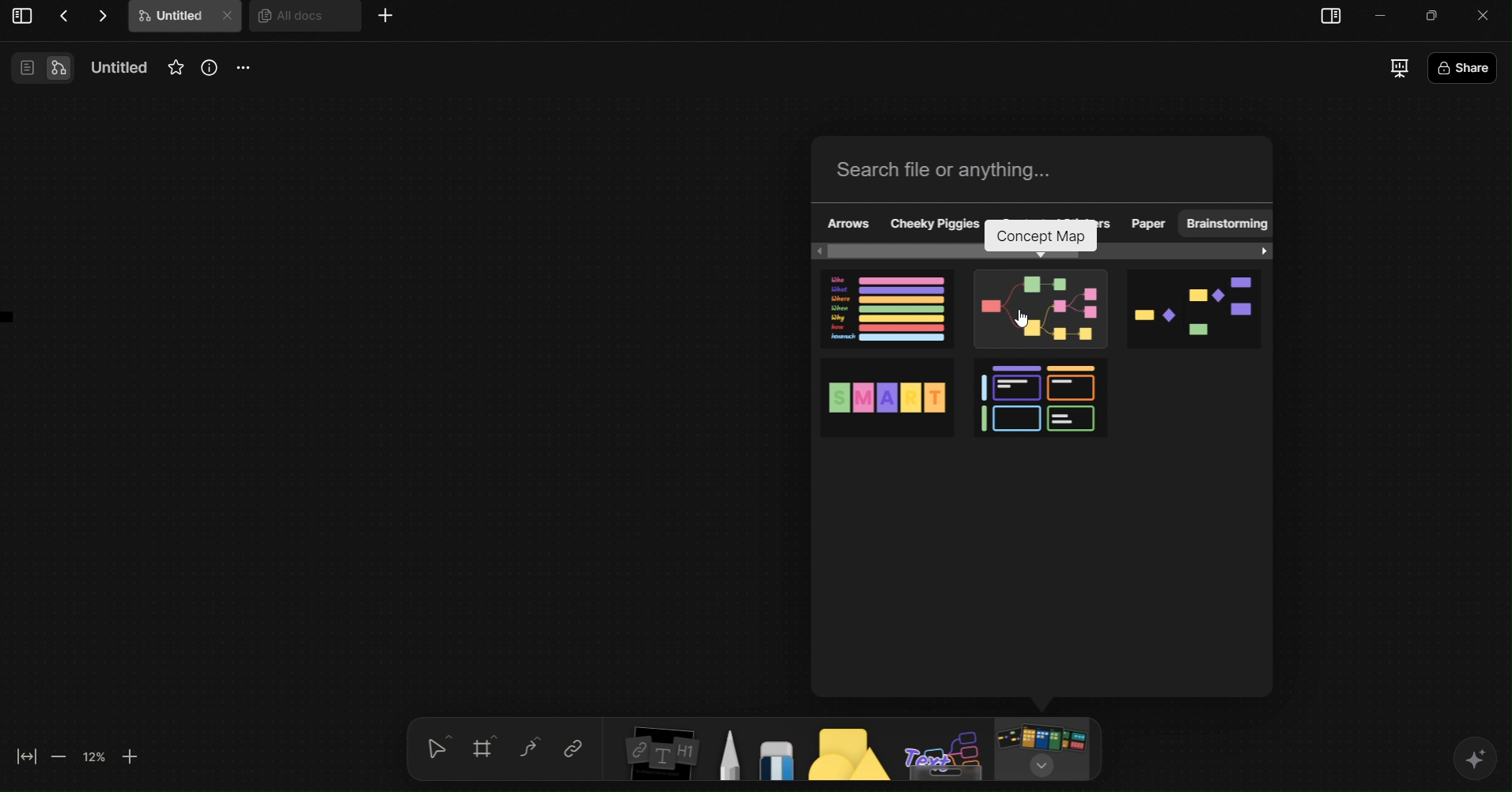 This screenshot has height=792, width=1512. What do you see at coordinates (1152, 225) in the screenshot?
I see `Paper` at bounding box center [1152, 225].